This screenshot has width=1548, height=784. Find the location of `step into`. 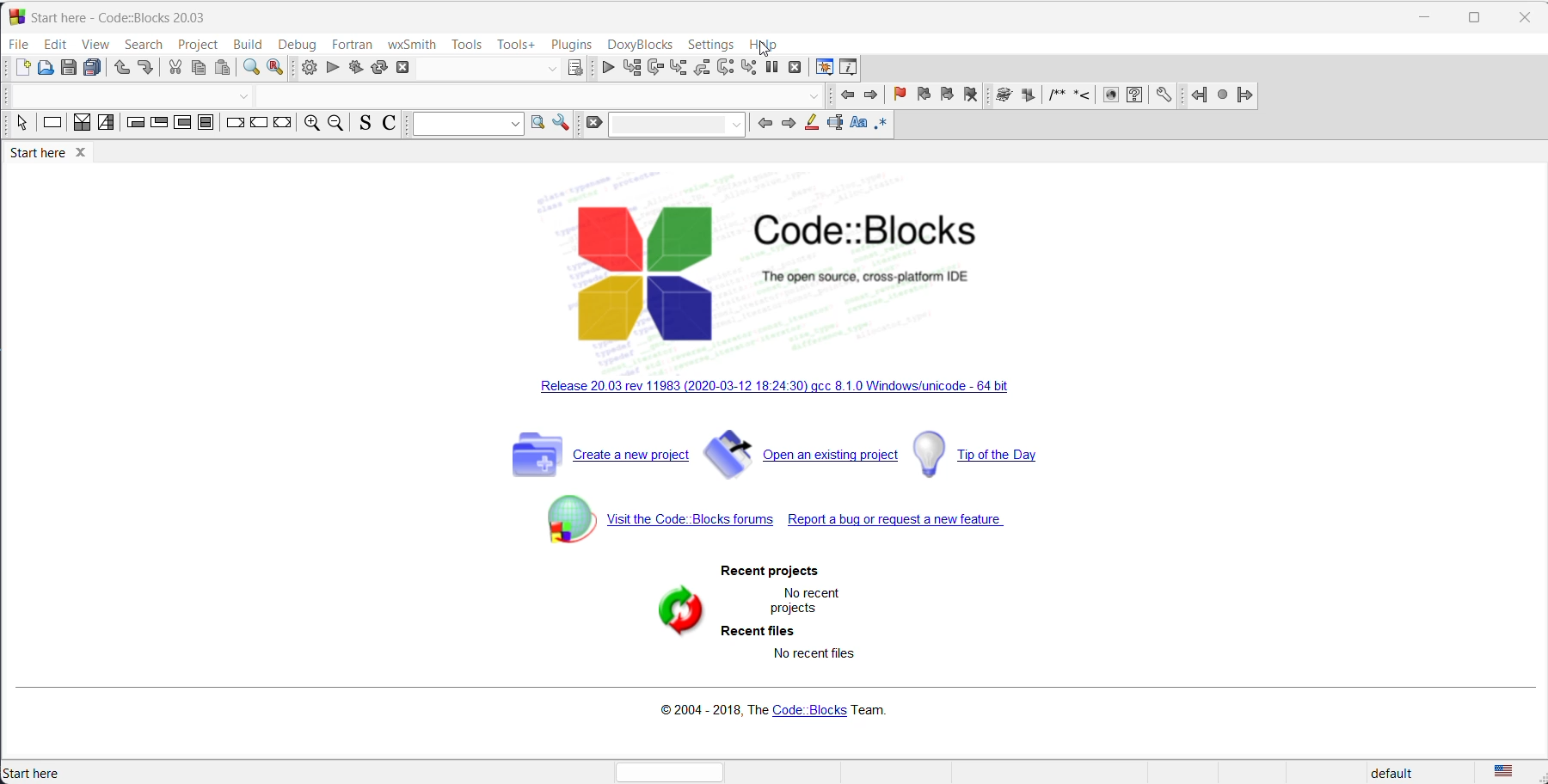

step into is located at coordinates (679, 69).